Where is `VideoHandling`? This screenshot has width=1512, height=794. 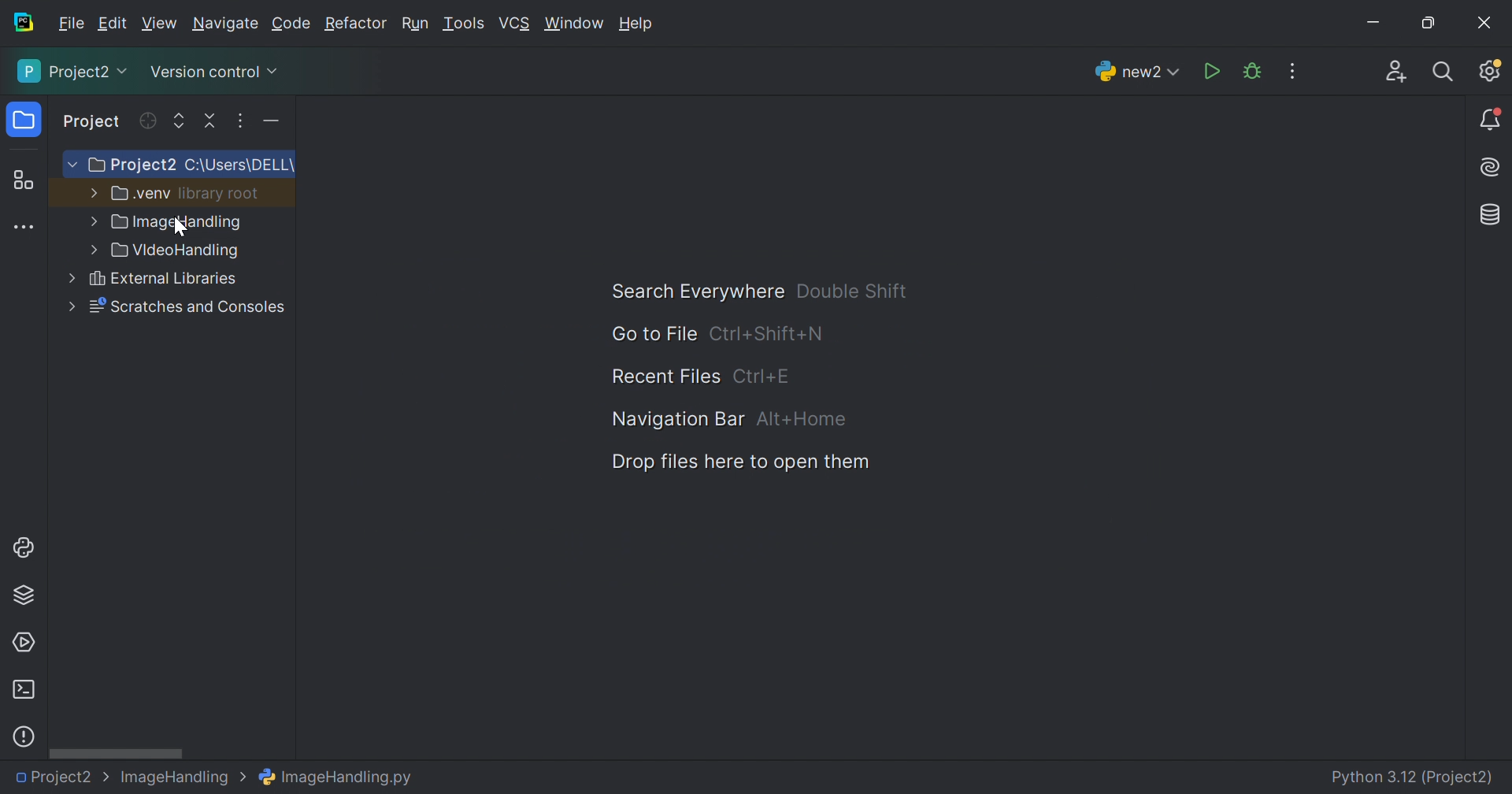
VideoHandling is located at coordinates (178, 251).